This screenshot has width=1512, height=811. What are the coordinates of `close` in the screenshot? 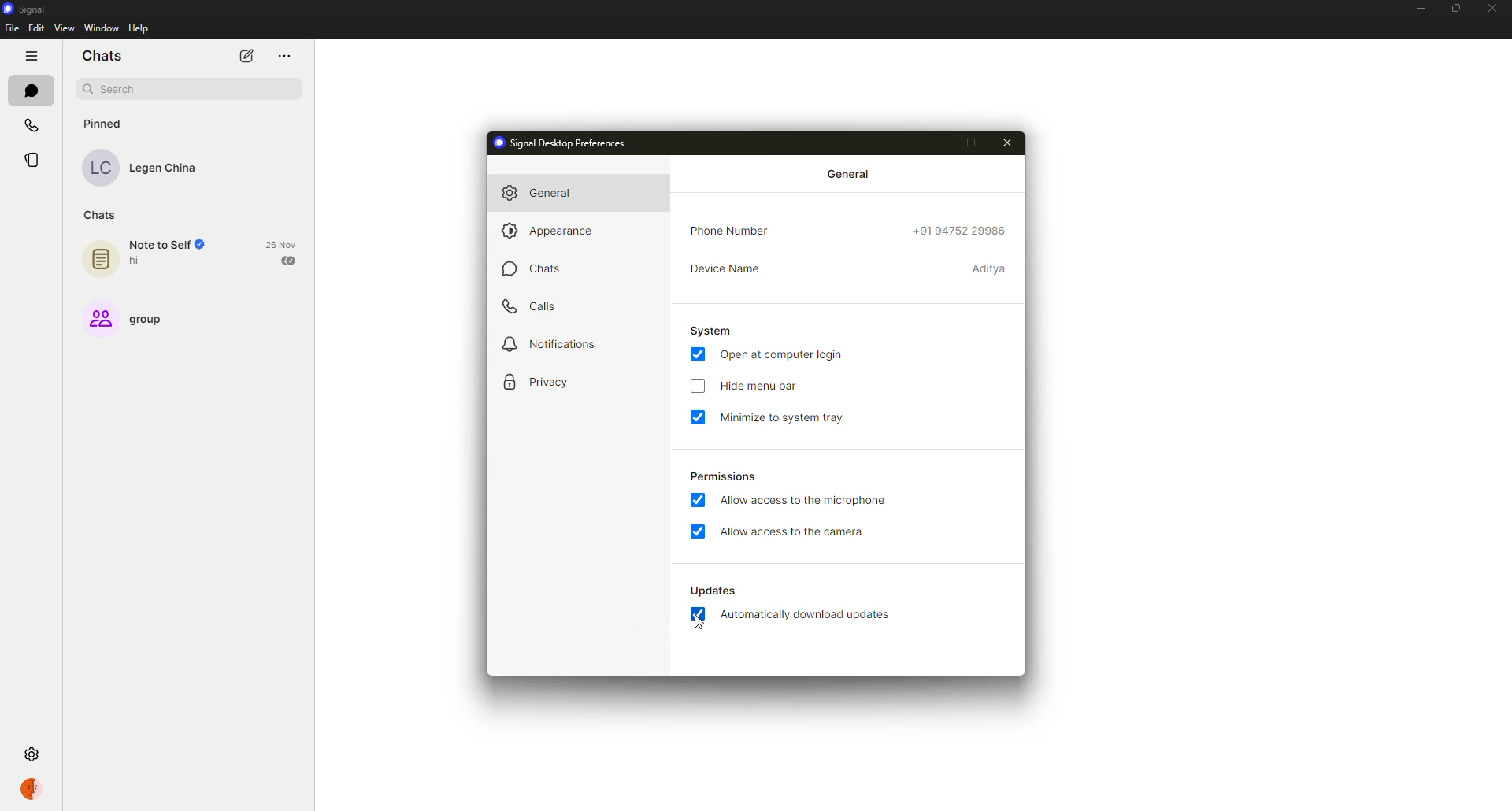 It's located at (1007, 143).